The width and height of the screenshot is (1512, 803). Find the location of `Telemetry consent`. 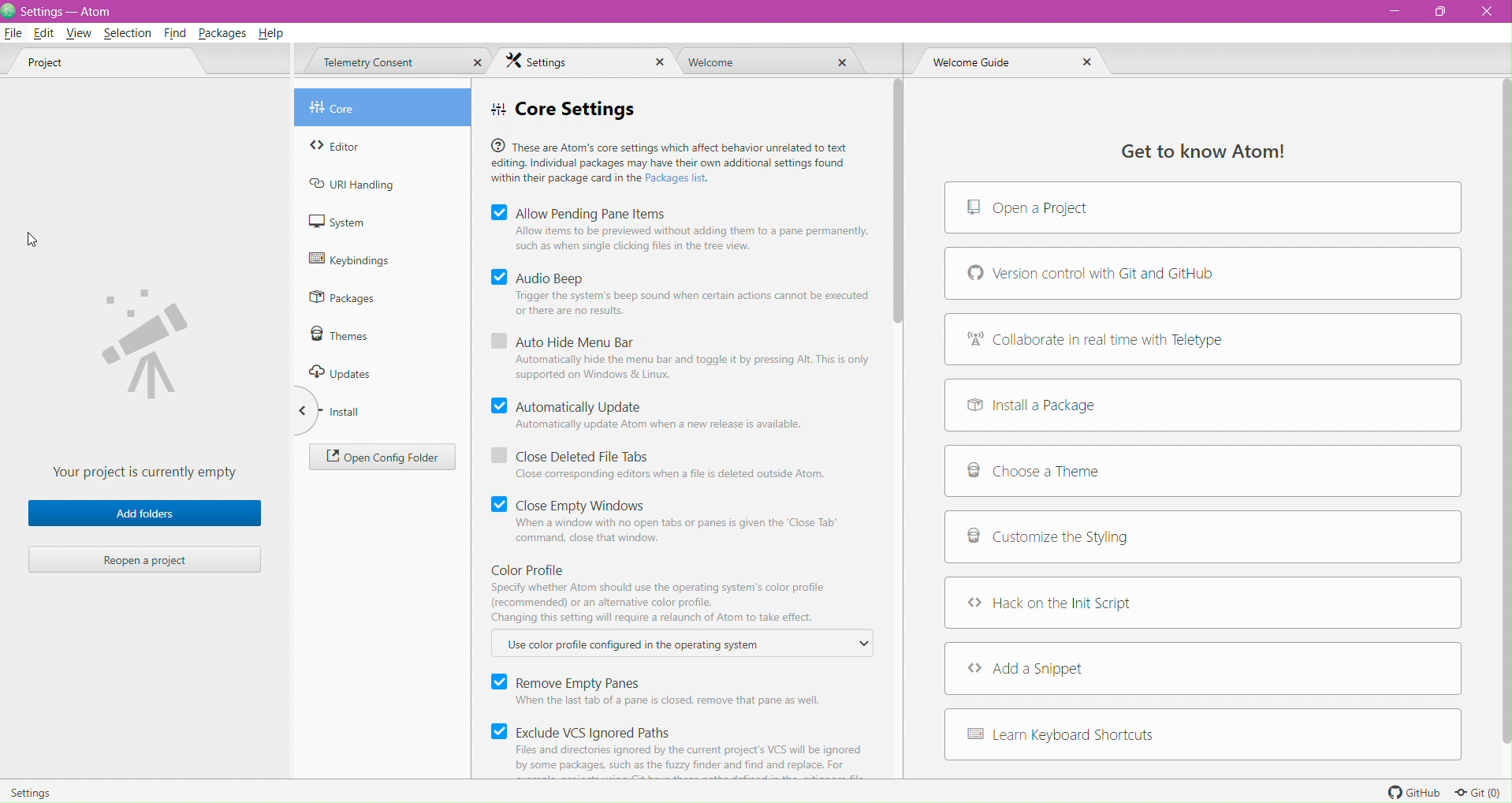

Telemetry consent is located at coordinates (369, 63).